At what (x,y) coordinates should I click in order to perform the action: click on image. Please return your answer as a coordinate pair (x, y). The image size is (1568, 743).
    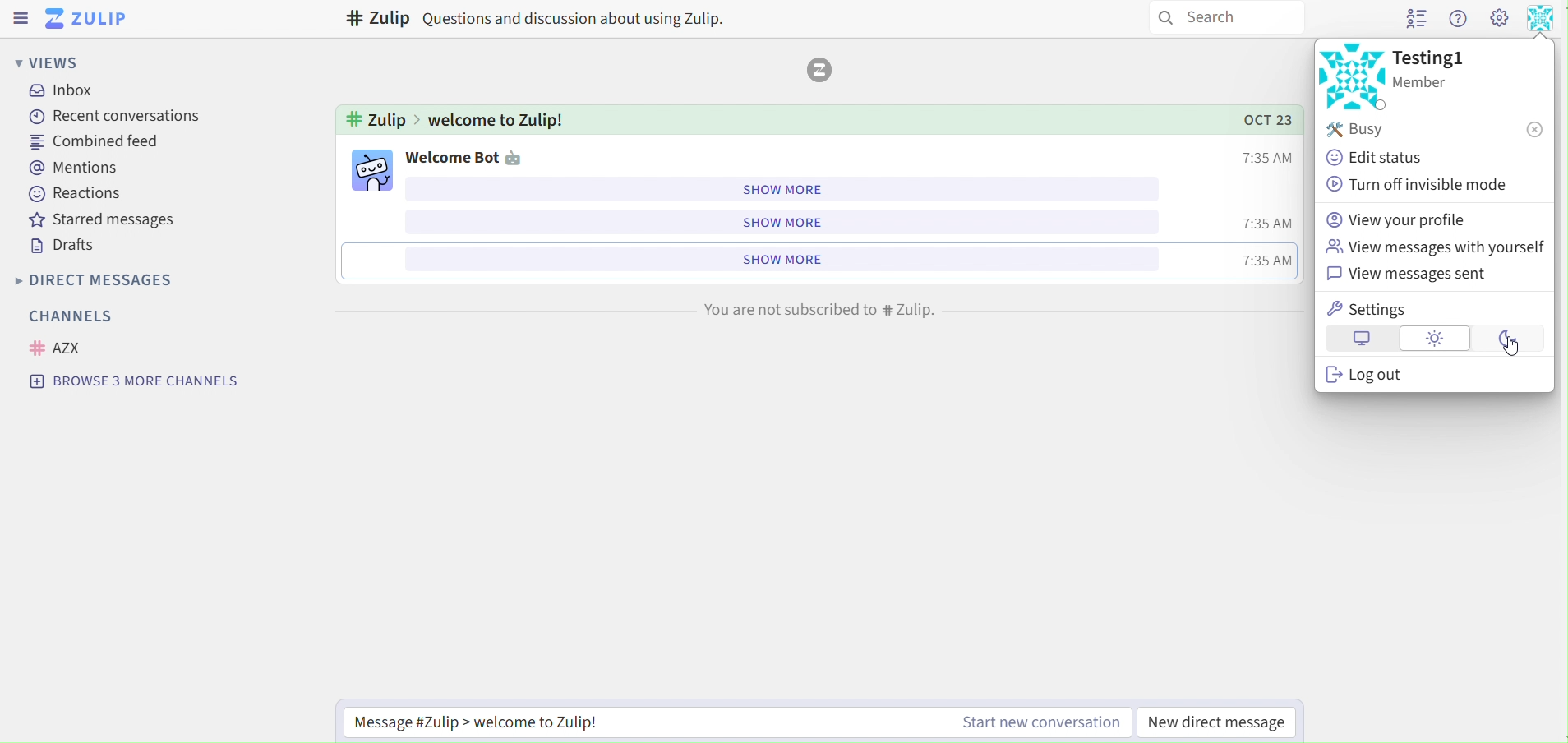
    Looking at the image, I should click on (822, 70).